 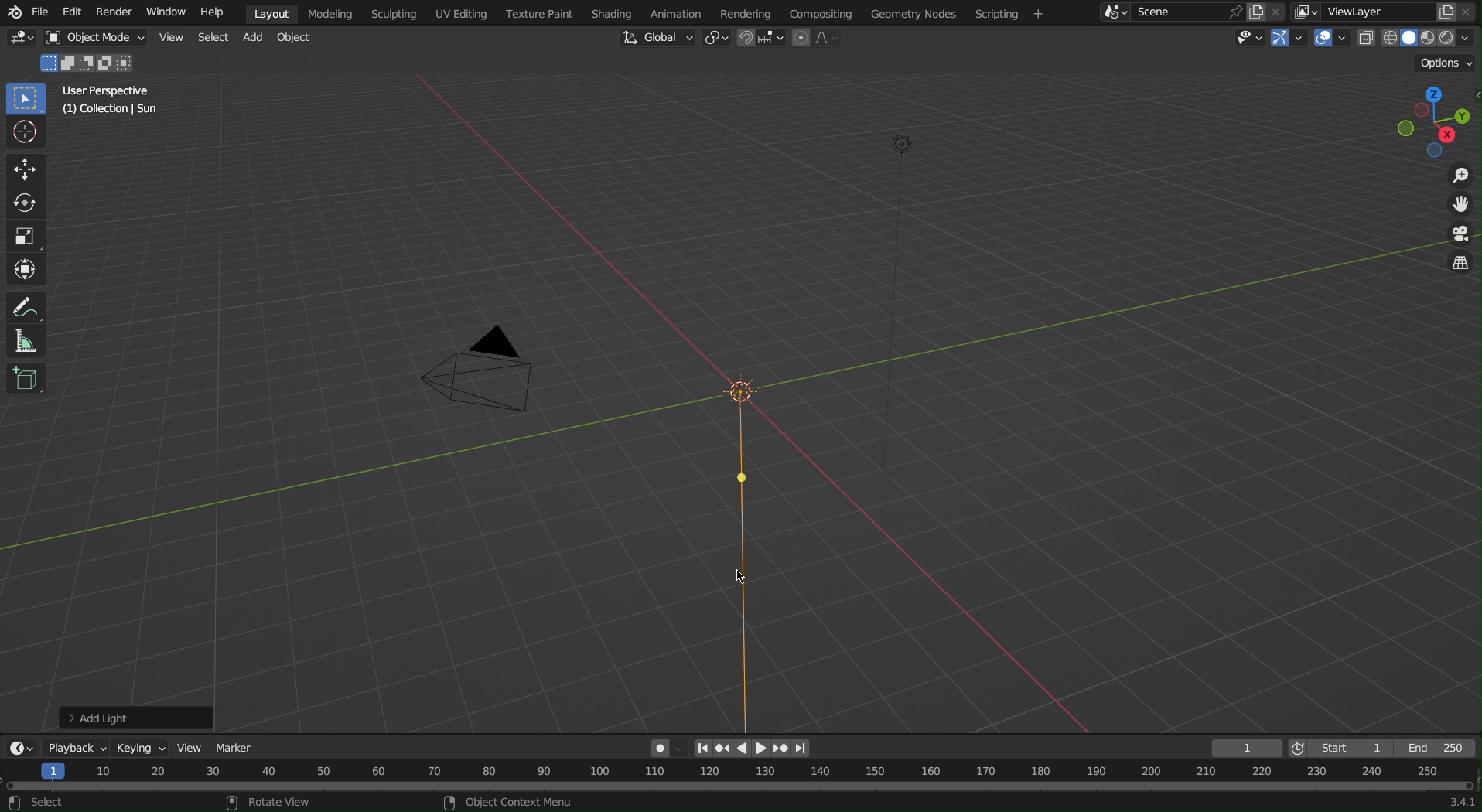 I want to click on Options, so click(x=1448, y=63).